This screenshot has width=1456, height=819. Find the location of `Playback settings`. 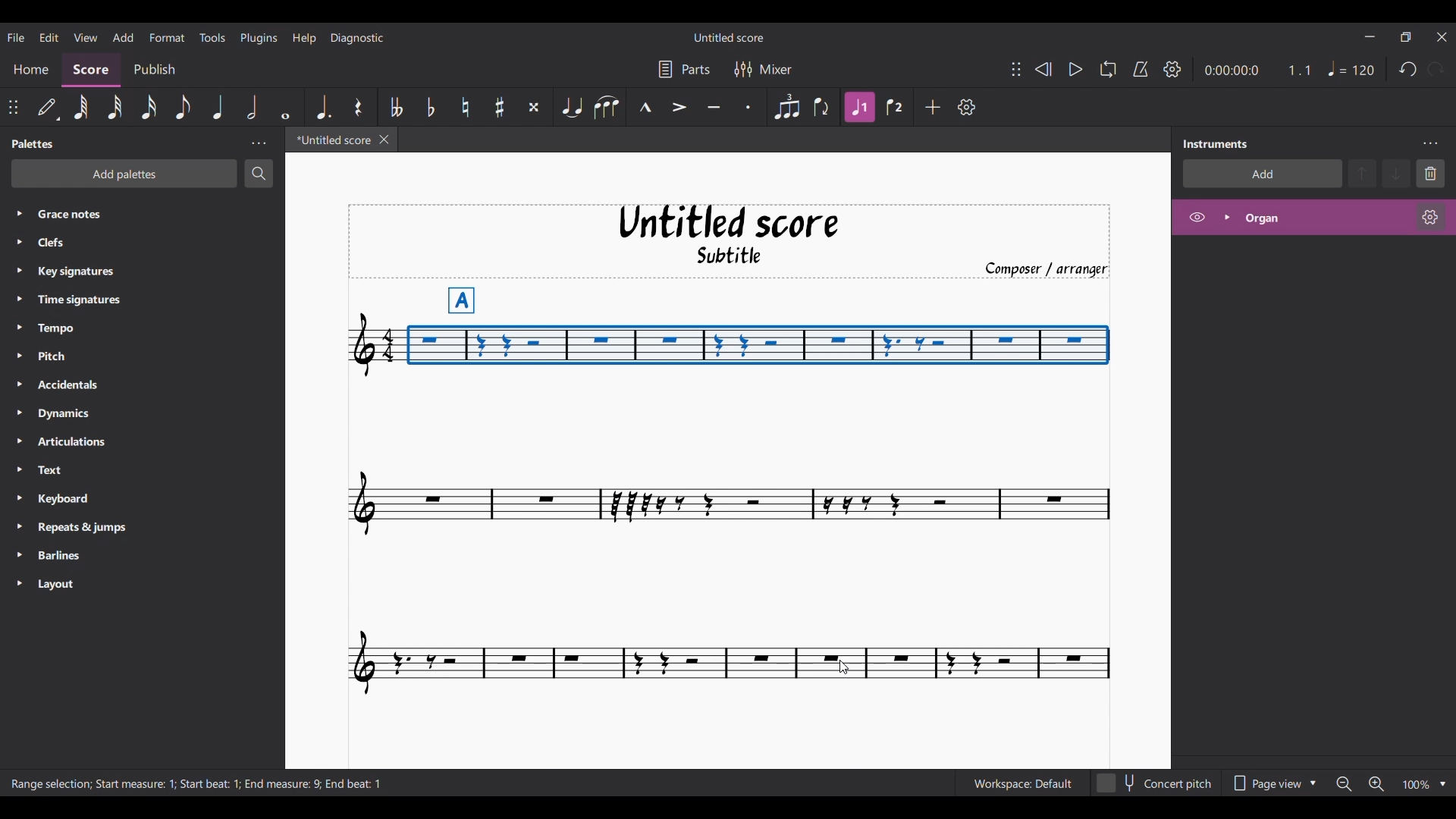

Playback settings is located at coordinates (1172, 68).